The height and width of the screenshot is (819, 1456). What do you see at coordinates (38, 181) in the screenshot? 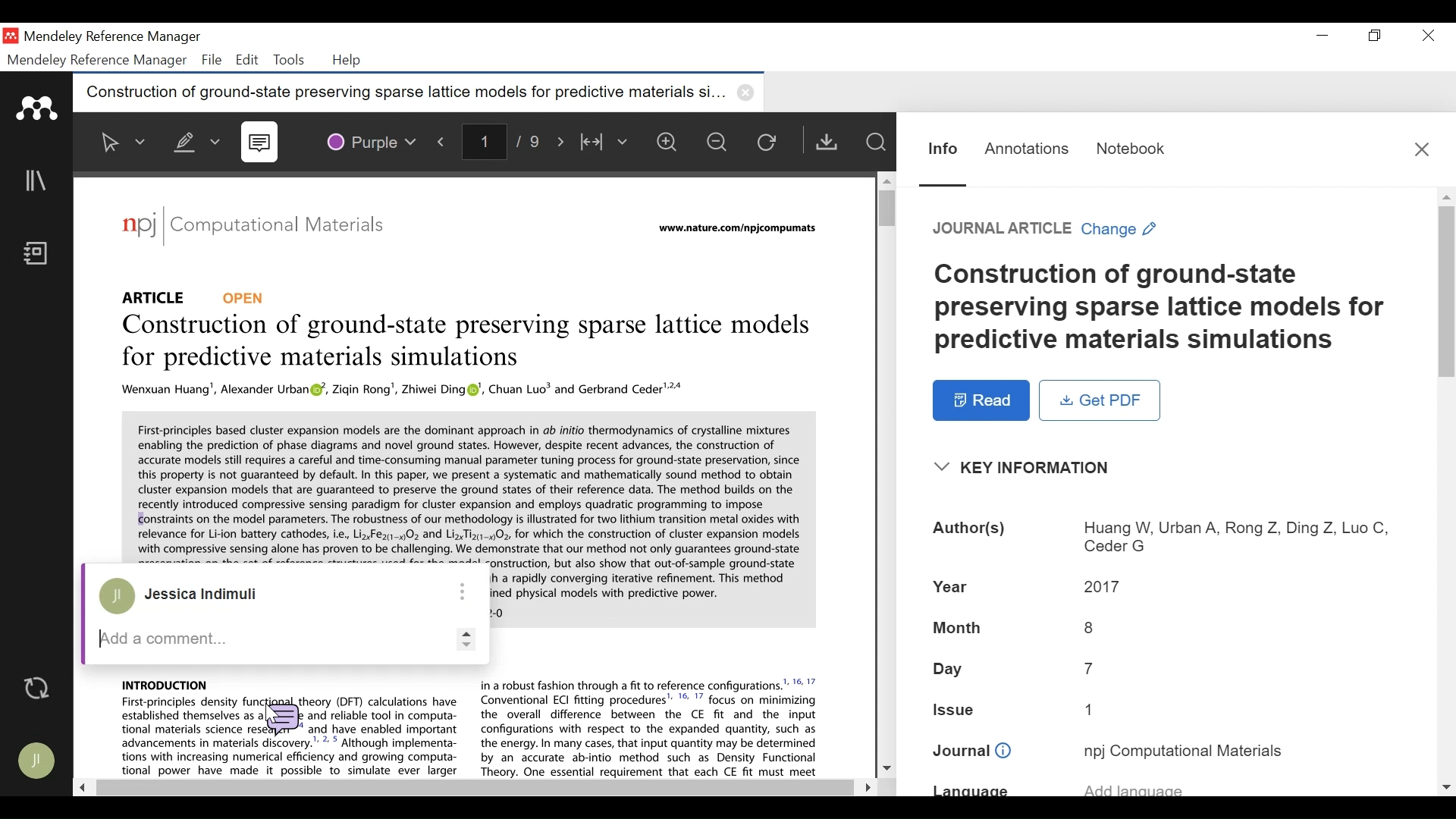
I see `Library` at bounding box center [38, 181].